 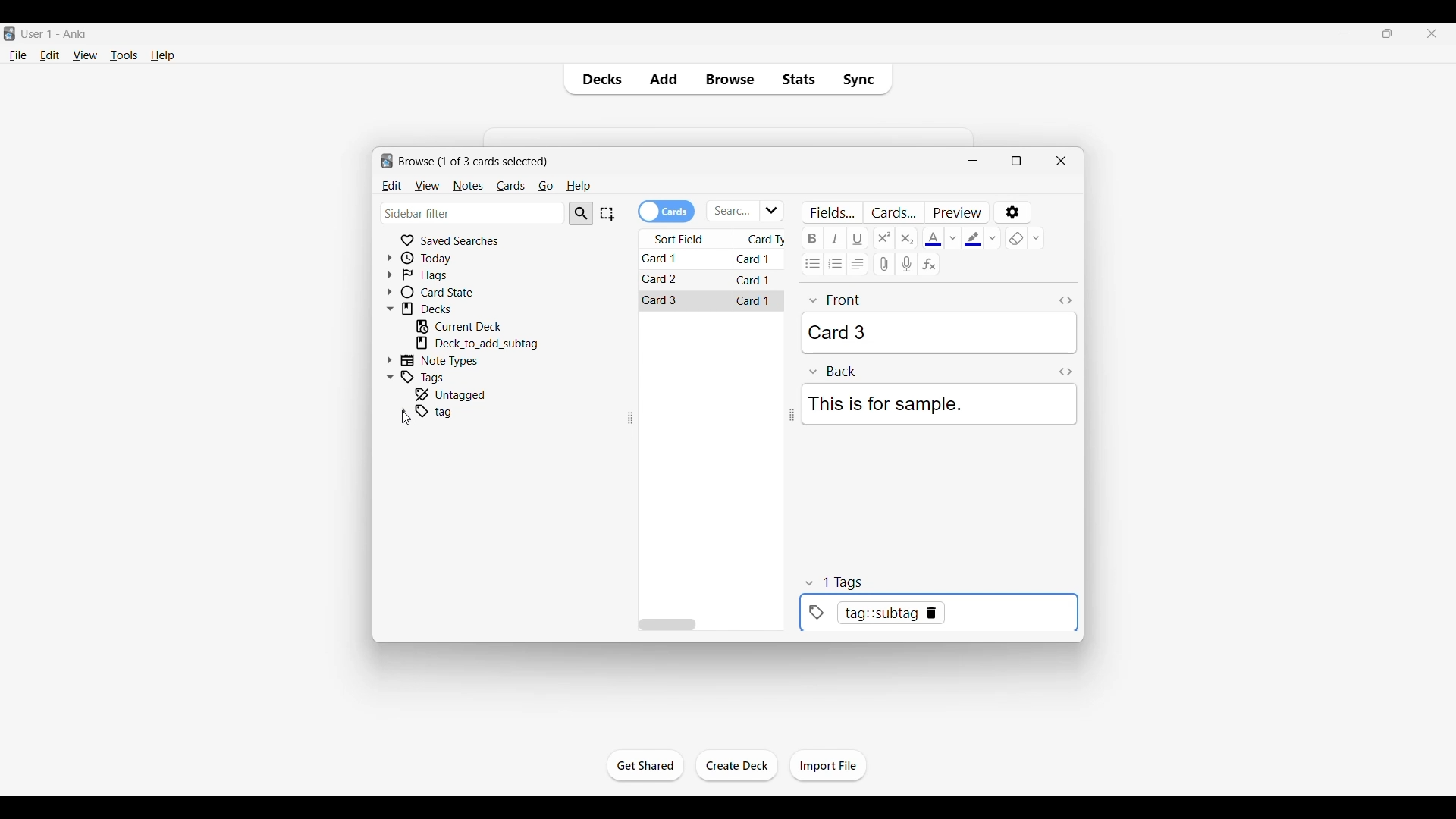 I want to click on Subscript, so click(x=906, y=238).